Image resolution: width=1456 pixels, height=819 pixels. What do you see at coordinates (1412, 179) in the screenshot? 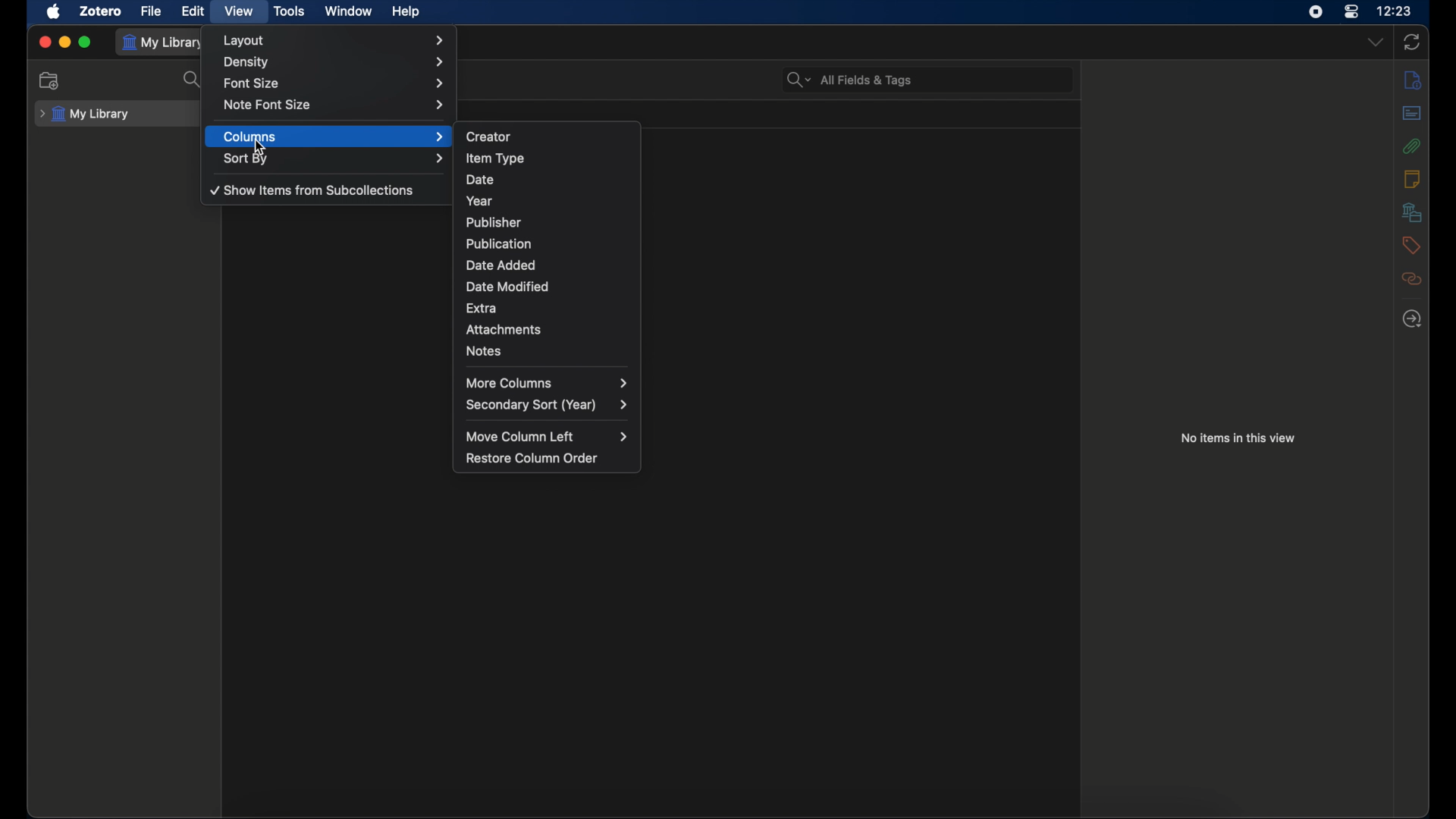
I see `notes` at bounding box center [1412, 179].